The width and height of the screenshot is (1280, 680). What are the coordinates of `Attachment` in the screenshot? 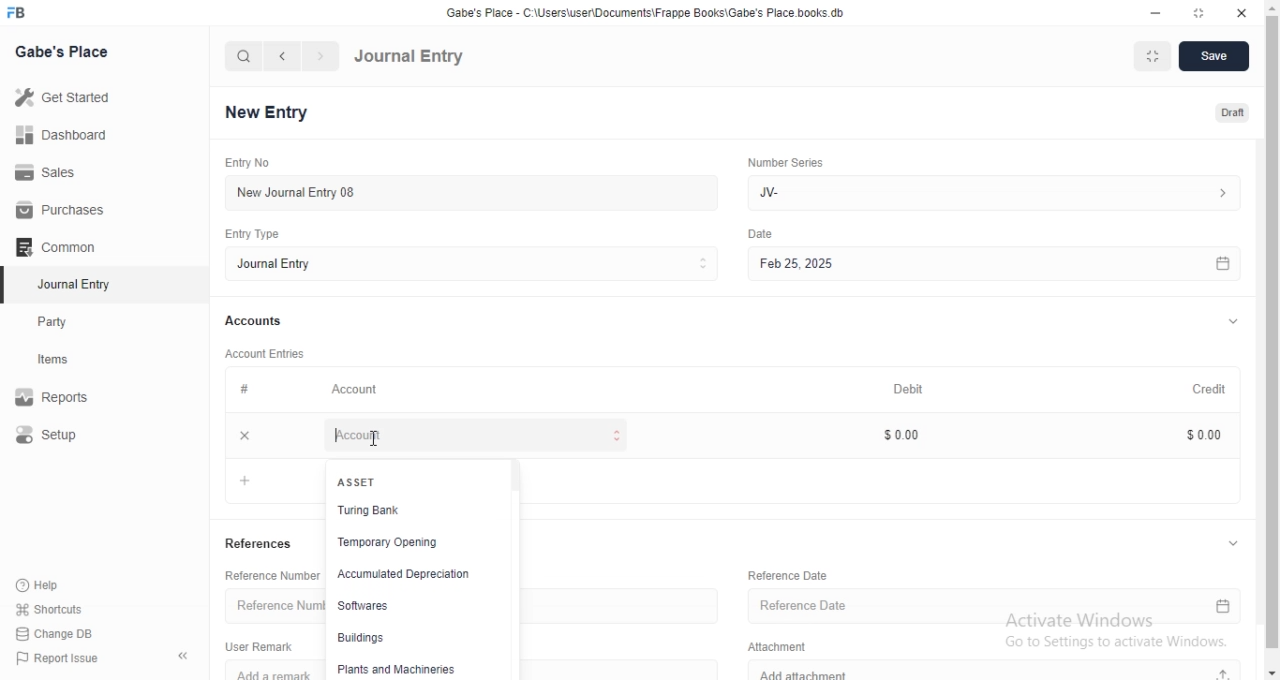 It's located at (781, 647).